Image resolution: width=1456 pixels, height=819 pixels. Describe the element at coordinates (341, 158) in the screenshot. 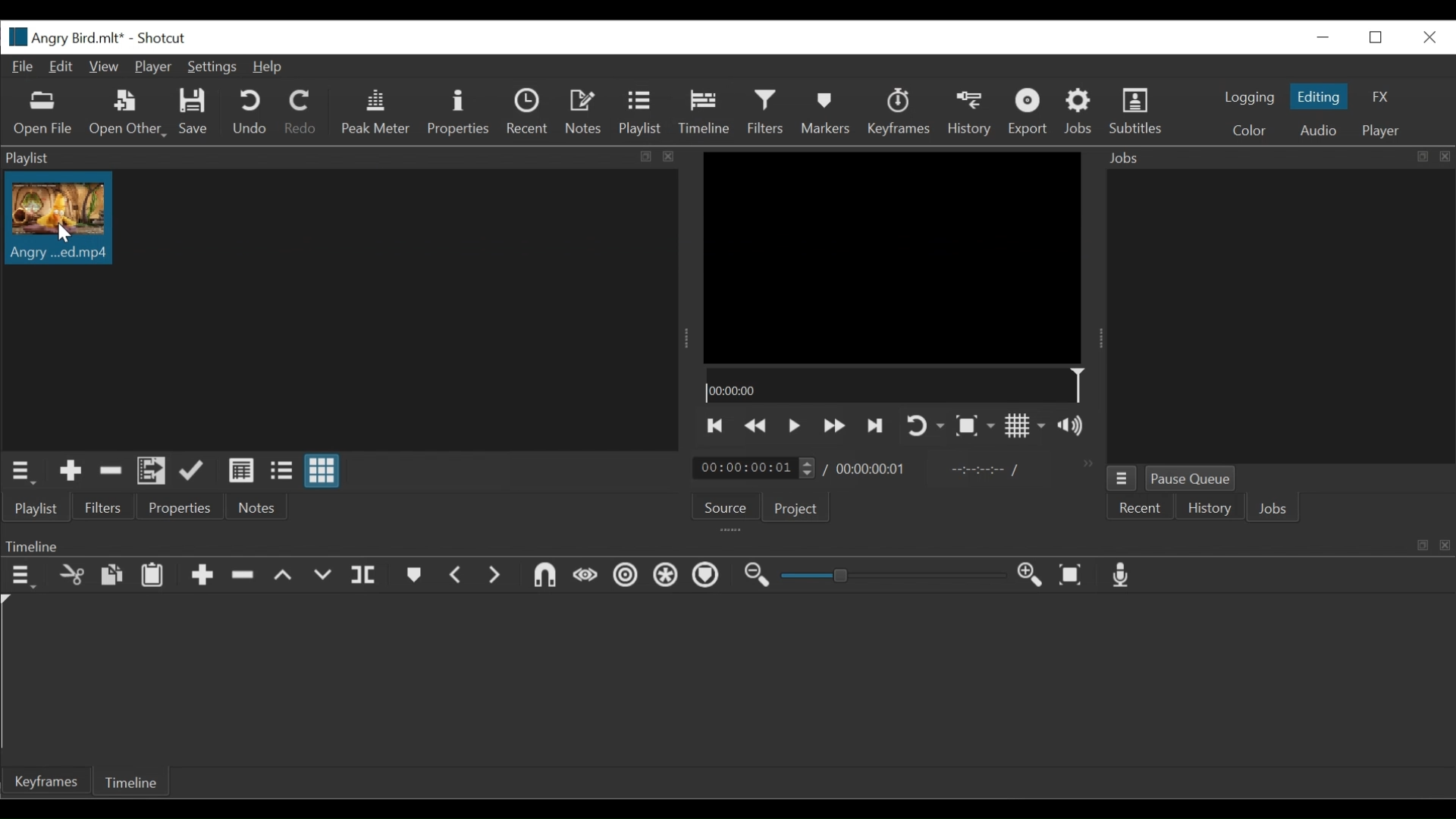

I see `Playlist` at that location.